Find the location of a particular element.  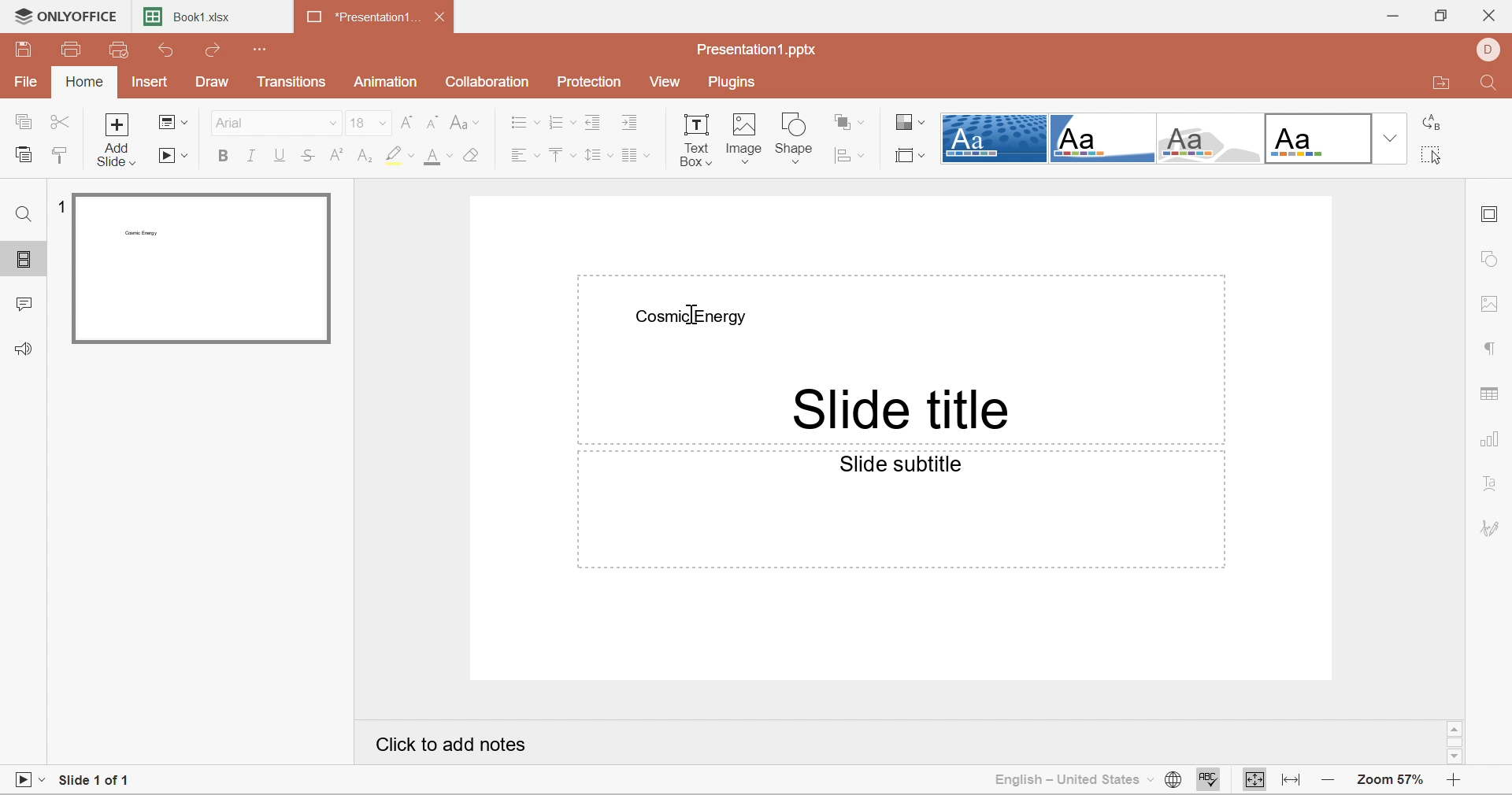

Chart settings is located at coordinates (1492, 442).